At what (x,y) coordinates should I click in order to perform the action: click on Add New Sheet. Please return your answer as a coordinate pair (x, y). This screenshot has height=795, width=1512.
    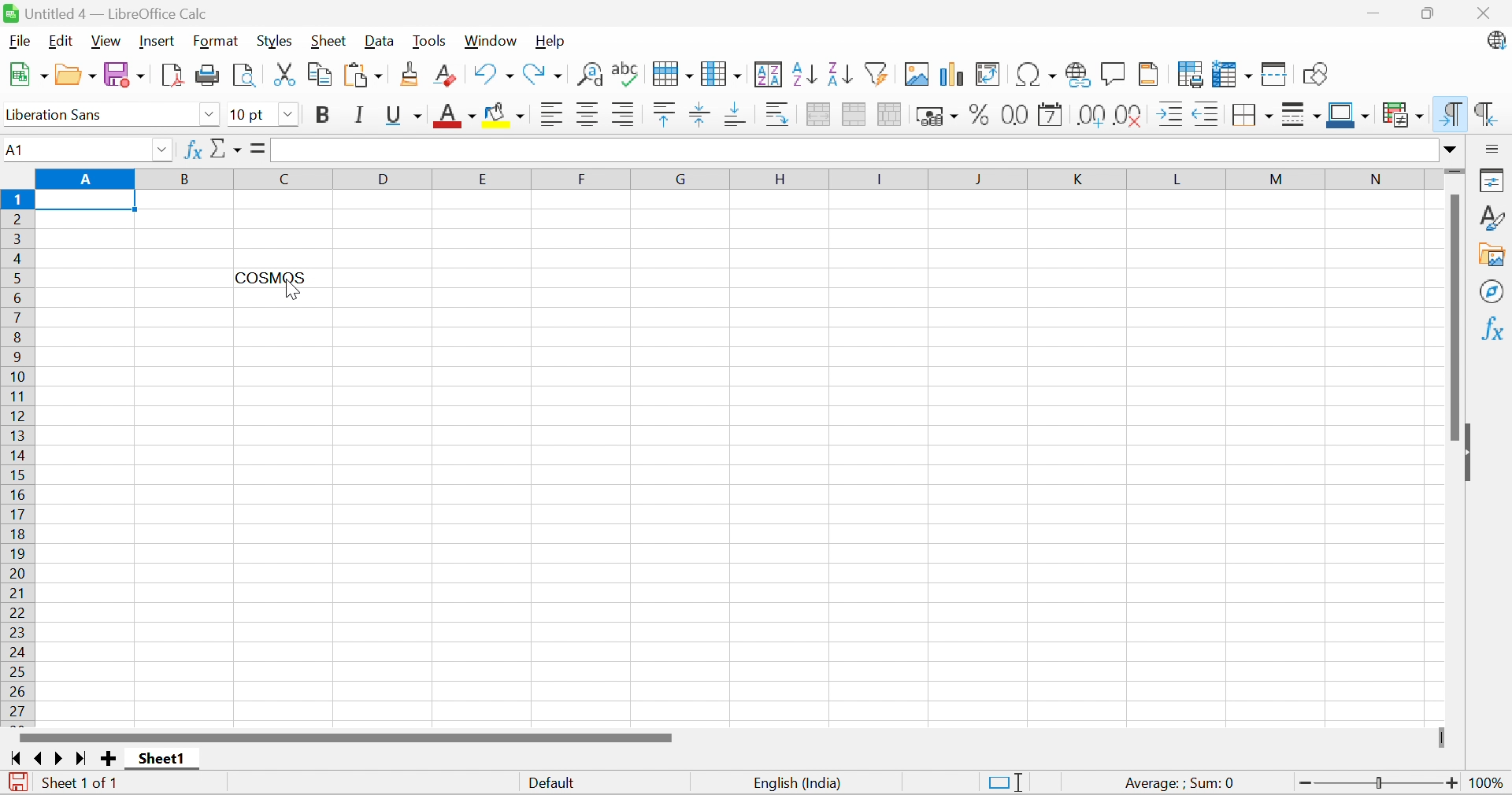
    Looking at the image, I should click on (109, 760).